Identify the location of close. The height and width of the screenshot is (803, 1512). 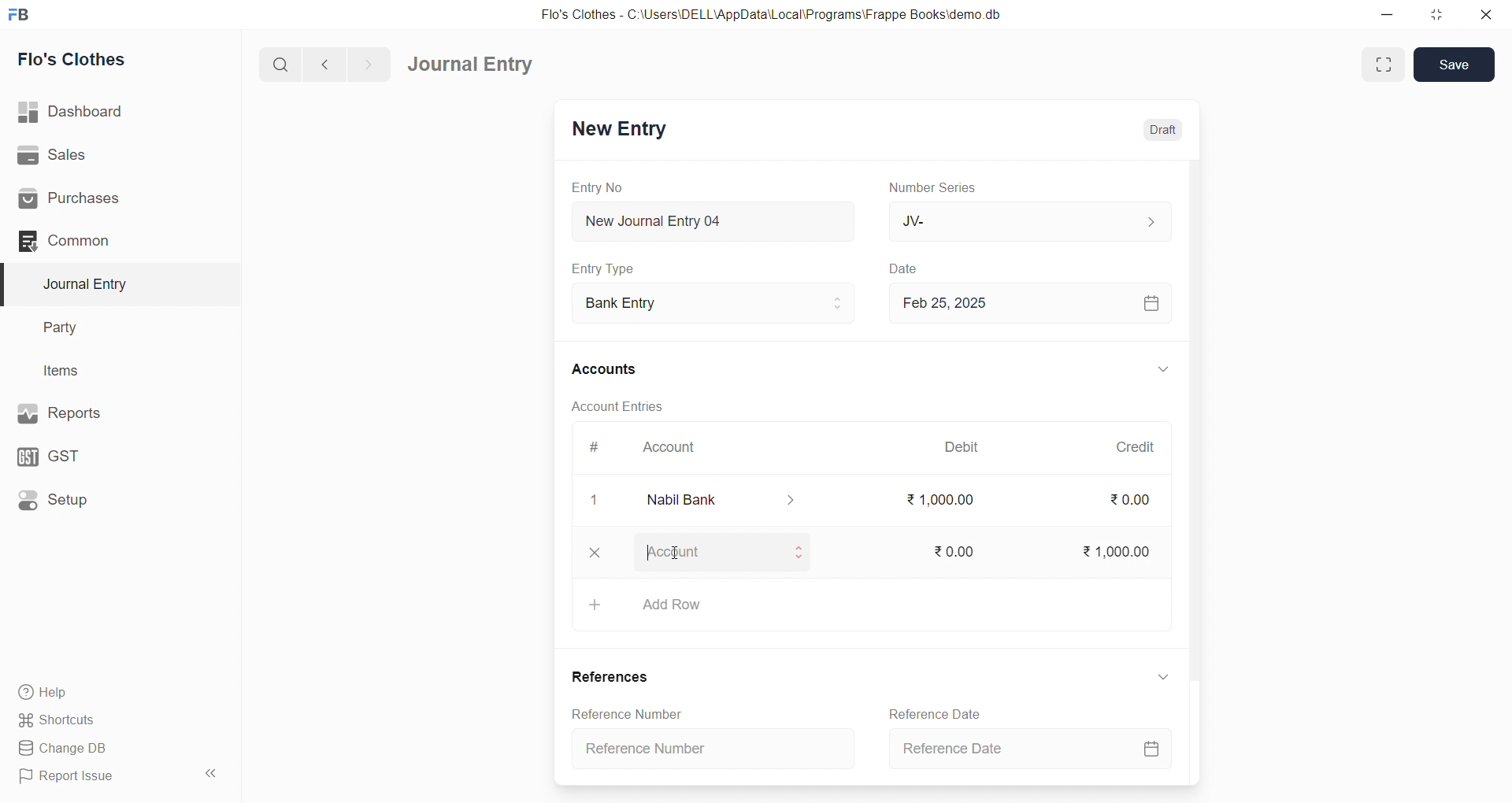
(1480, 14).